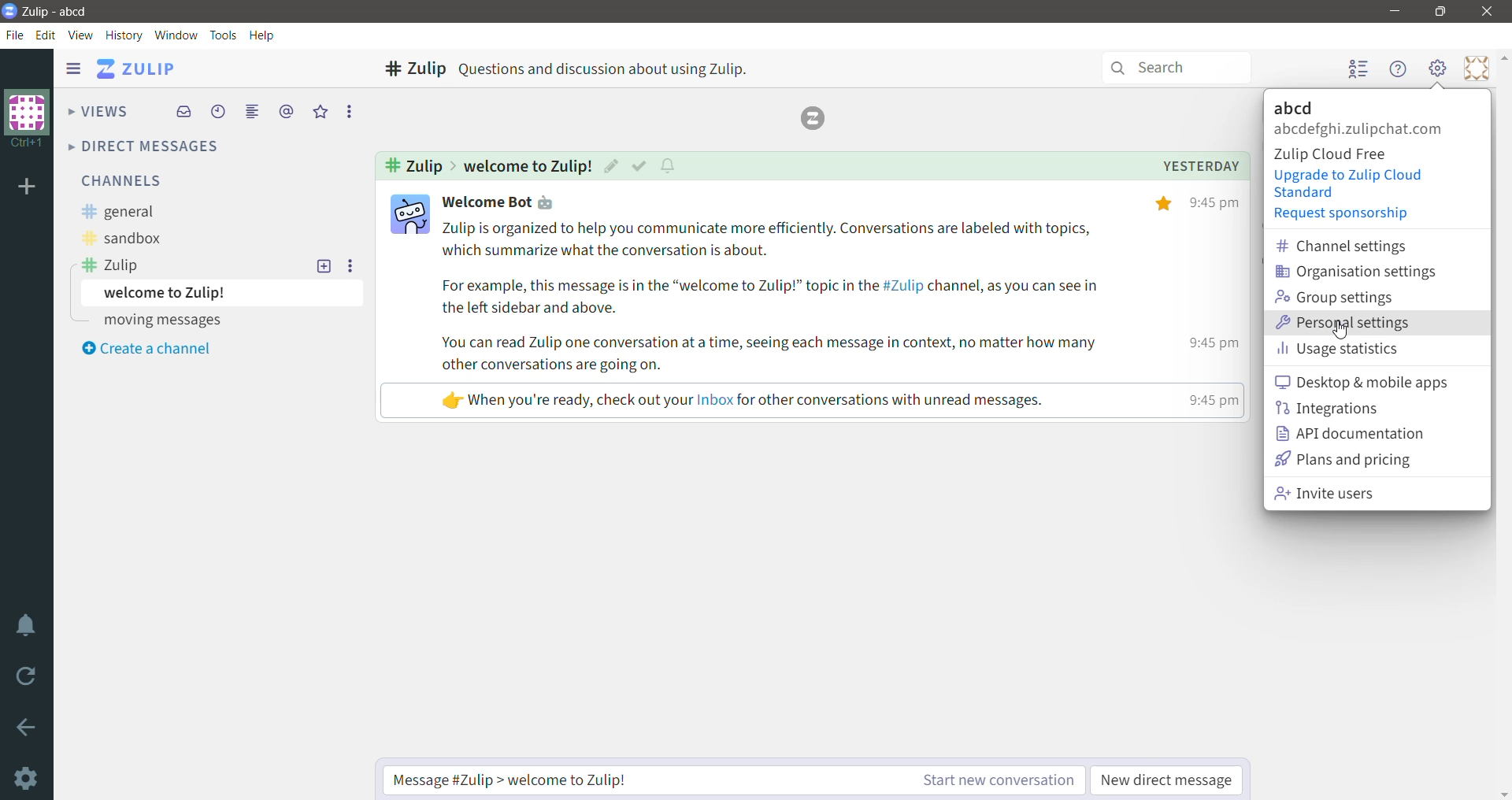 The height and width of the screenshot is (800, 1512). Describe the element at coordinates (120, 180) in the screenshot. I see `Channels` at that location.